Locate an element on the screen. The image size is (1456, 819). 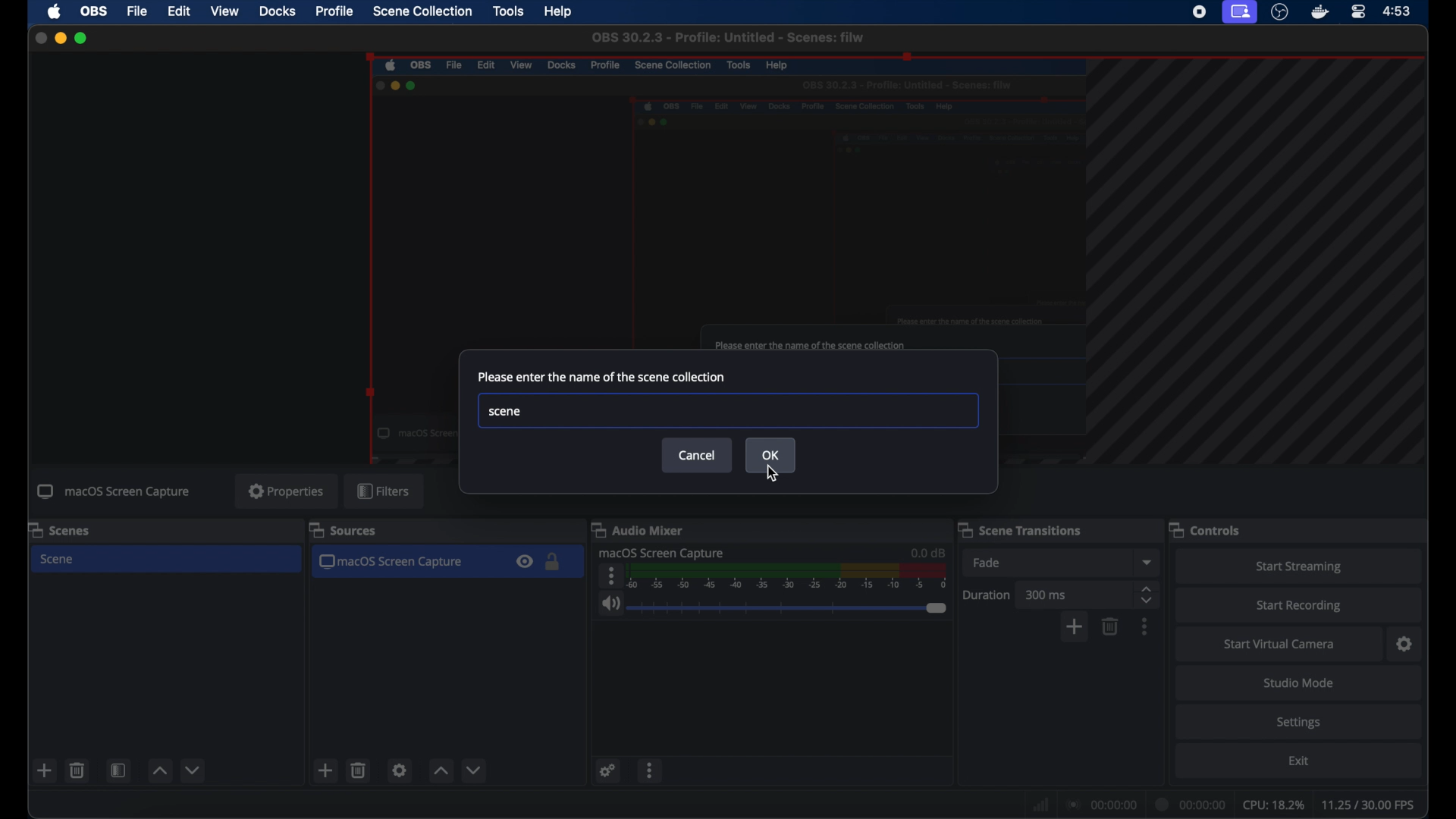
slider is located at coordinates (787, 608).